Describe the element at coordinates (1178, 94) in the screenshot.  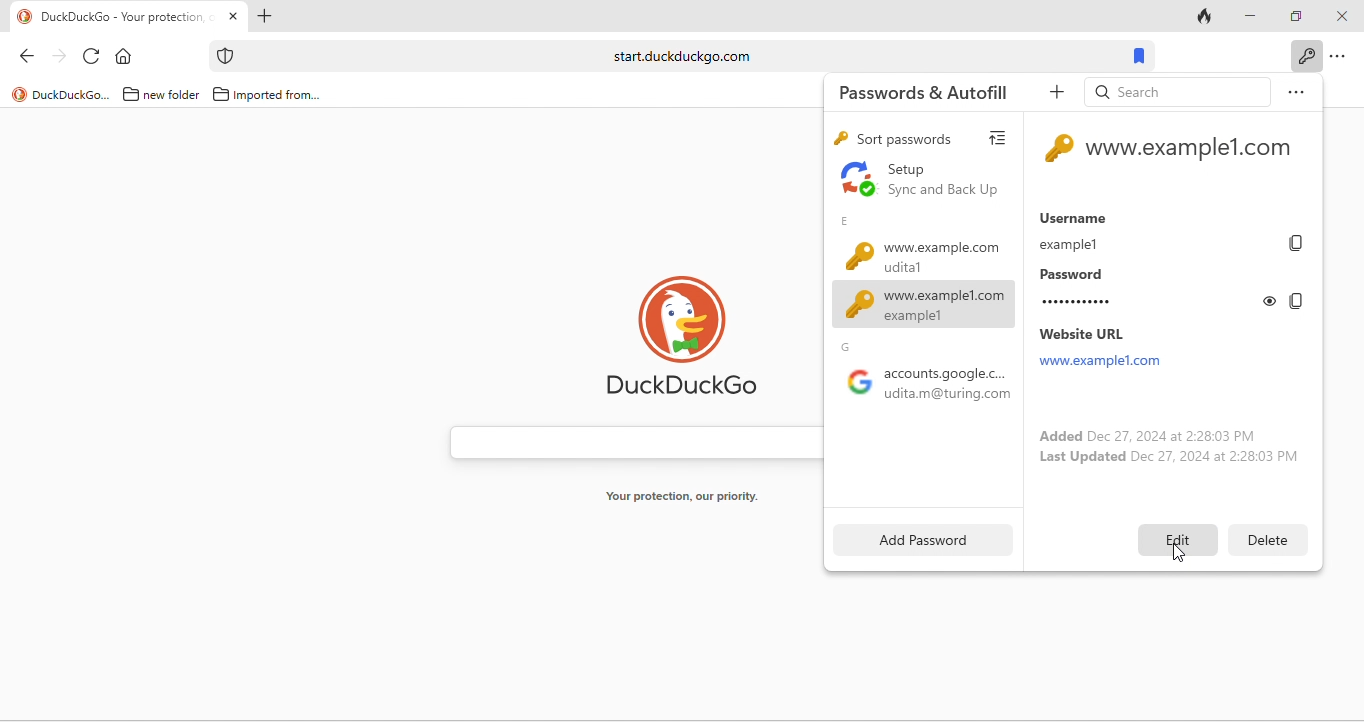
I see `search` at that location.